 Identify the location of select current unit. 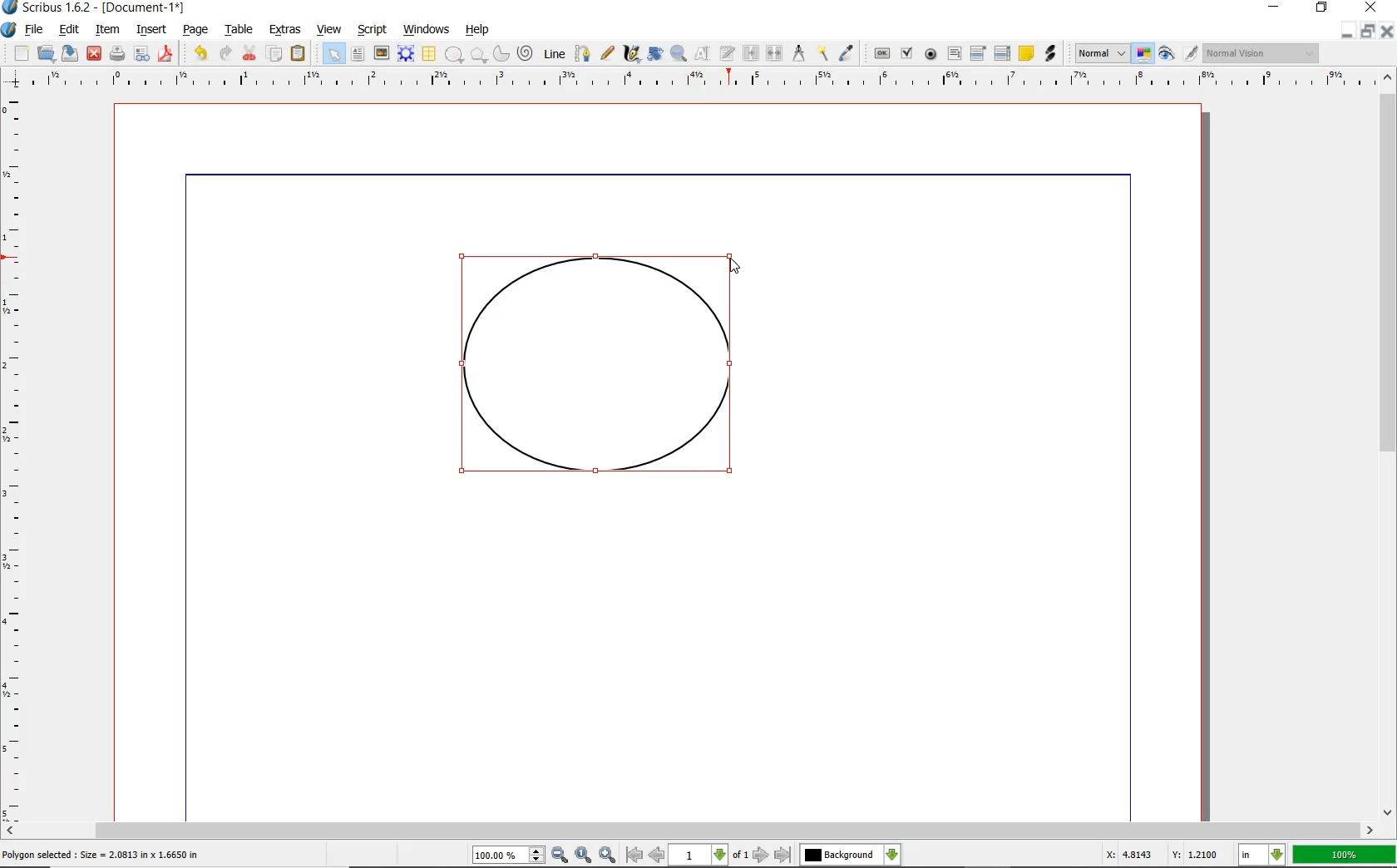
(1261, 853).